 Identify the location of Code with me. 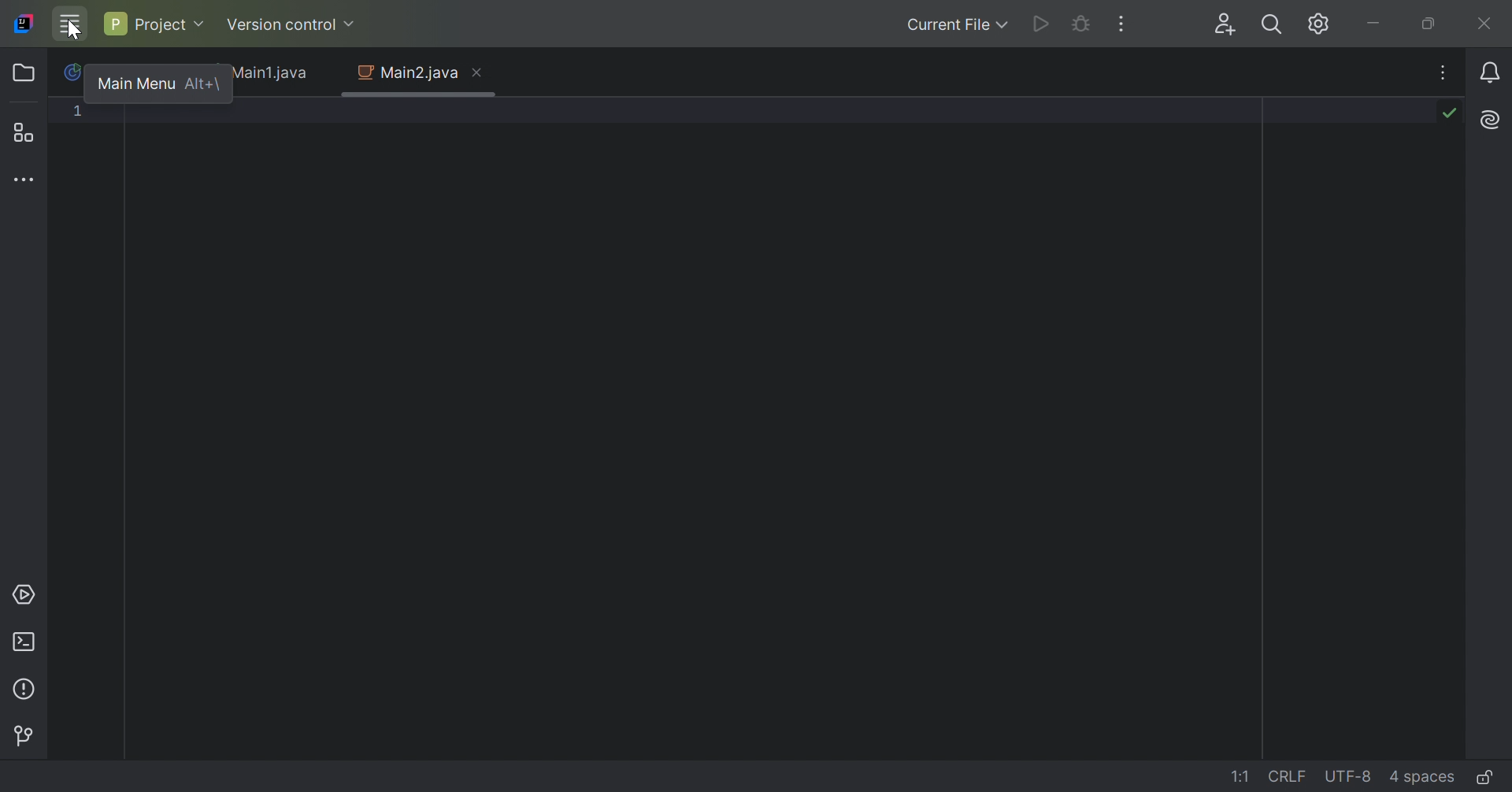
(1223, 25).